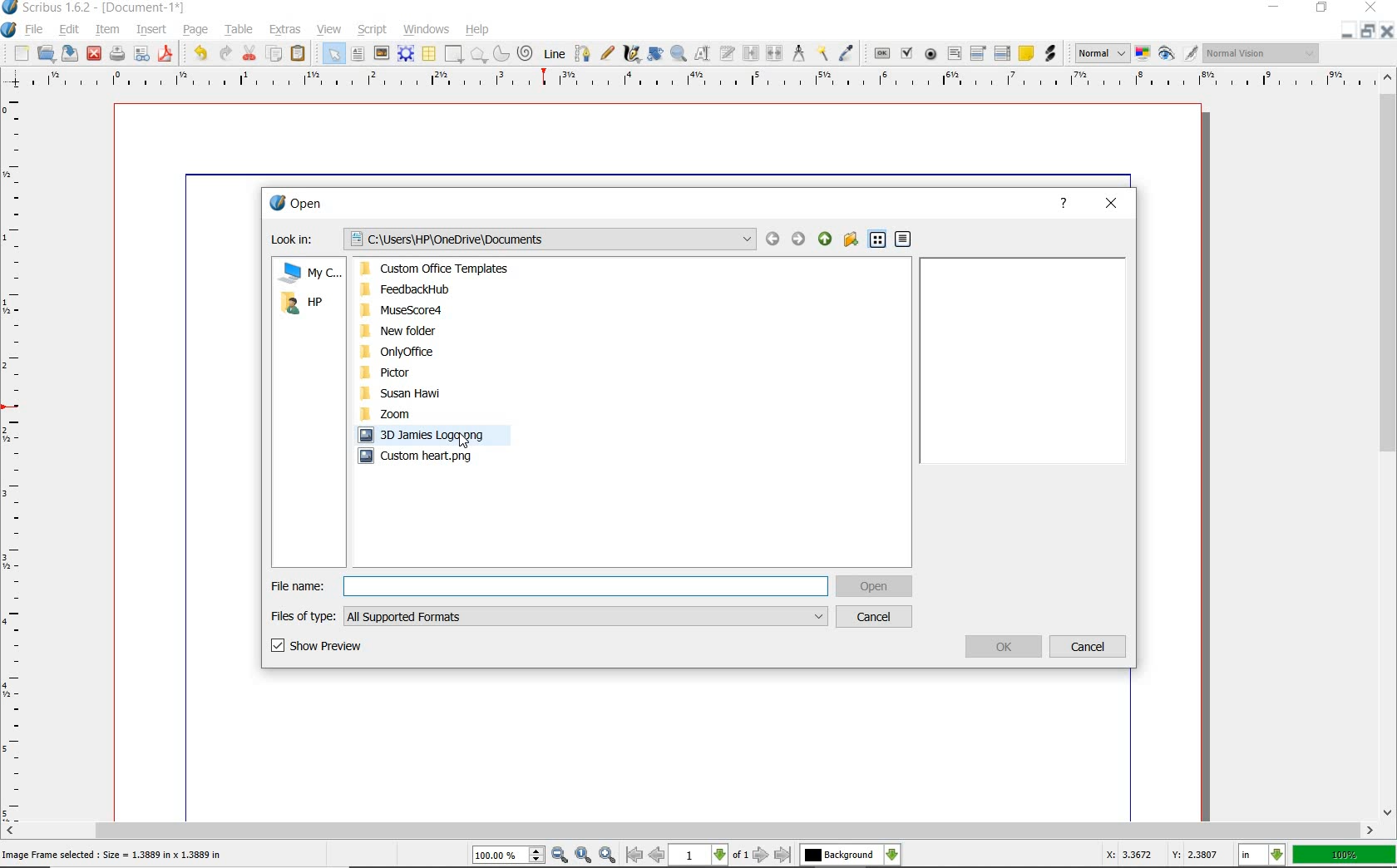 This screenshot has width=1397, height=868. I want to click on Restore Down, so click(1343, 31).